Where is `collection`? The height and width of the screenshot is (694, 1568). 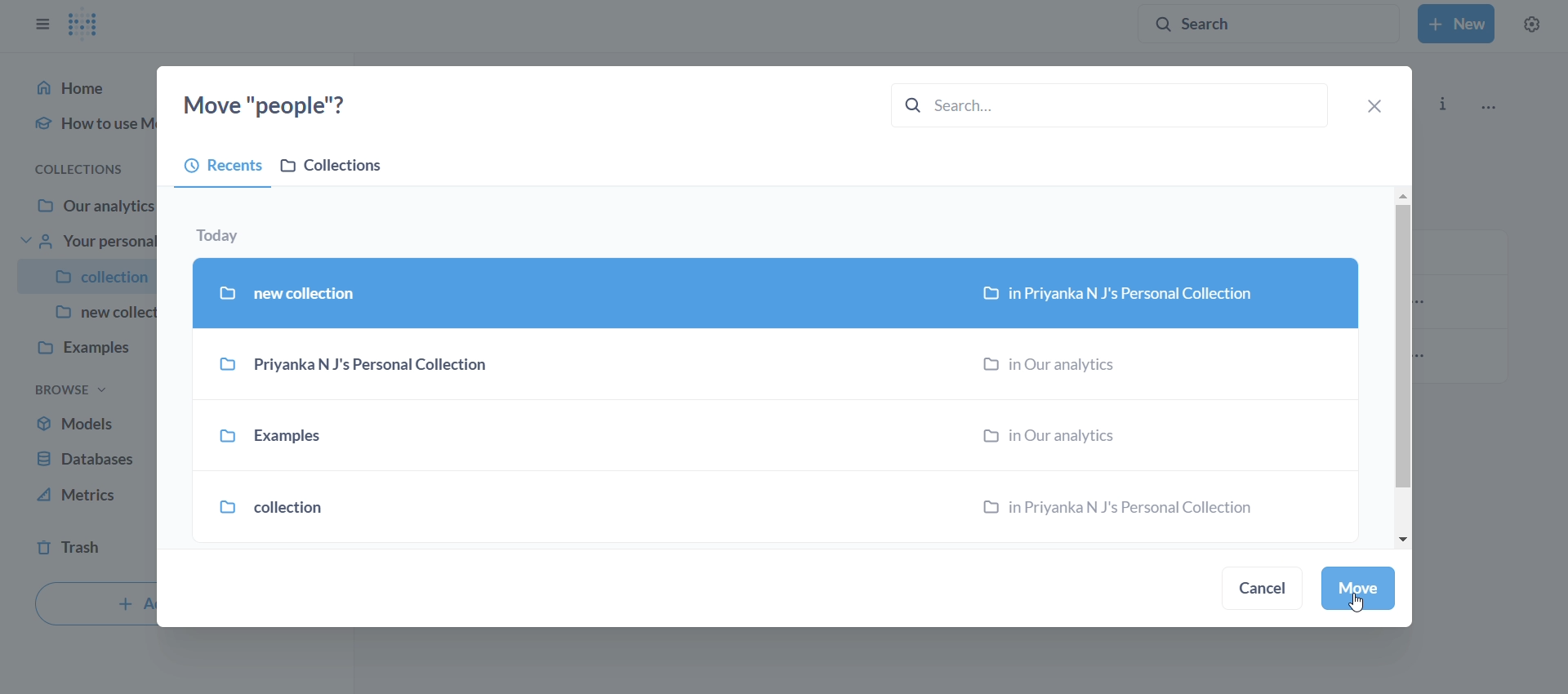
collection is located at coordinates (775, 508).